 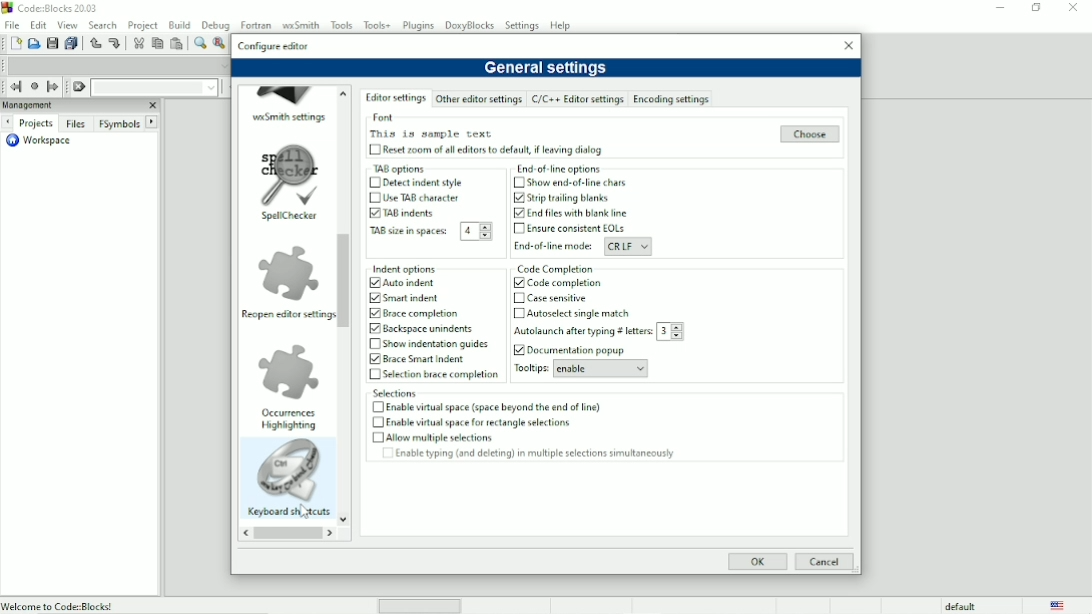 I want to click on Reopen editor settings, so click(x=287, y=314).